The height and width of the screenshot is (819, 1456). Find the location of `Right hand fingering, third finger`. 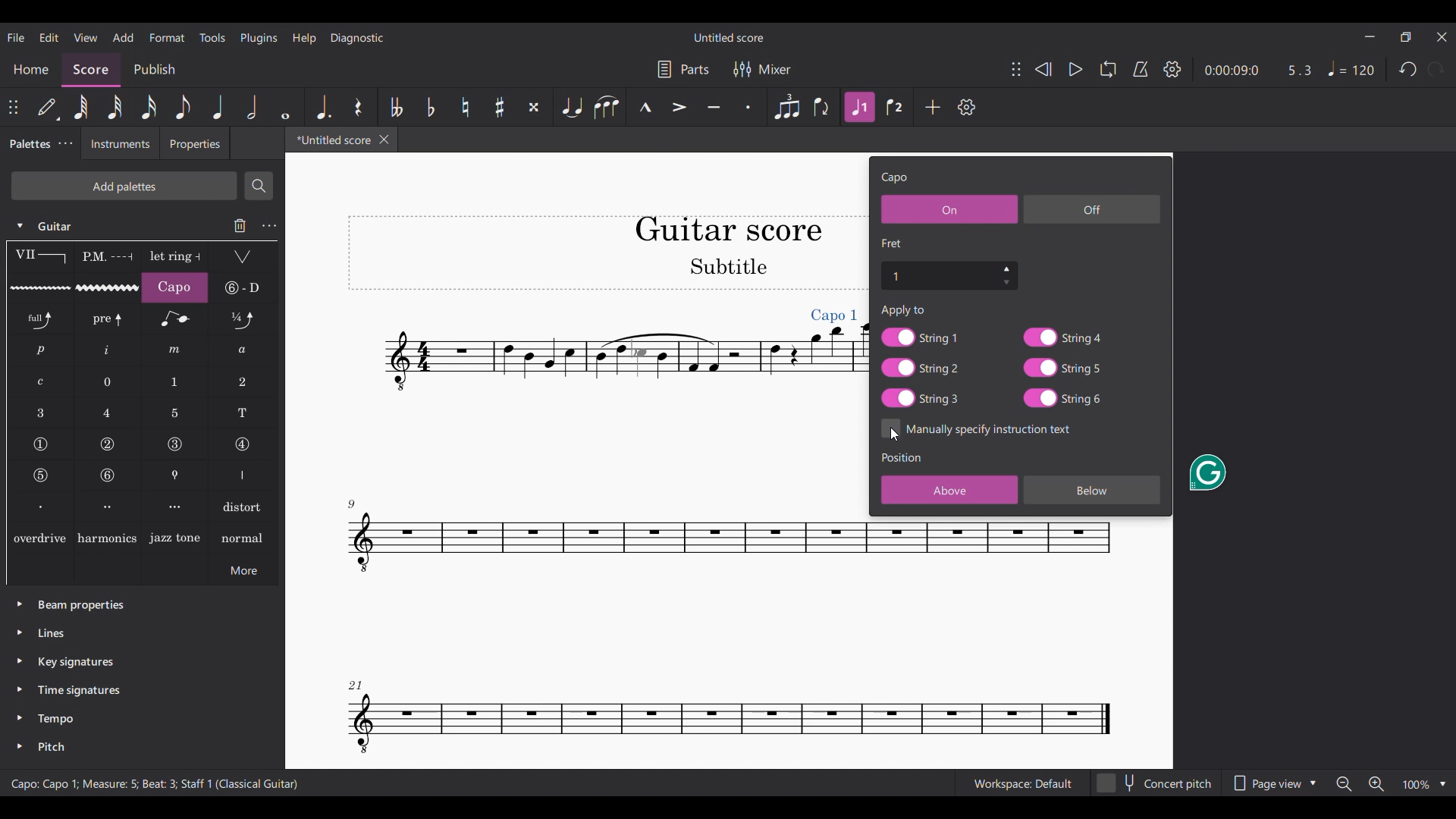

Right hand fingering, third finger is located at coordinates (176, 507).